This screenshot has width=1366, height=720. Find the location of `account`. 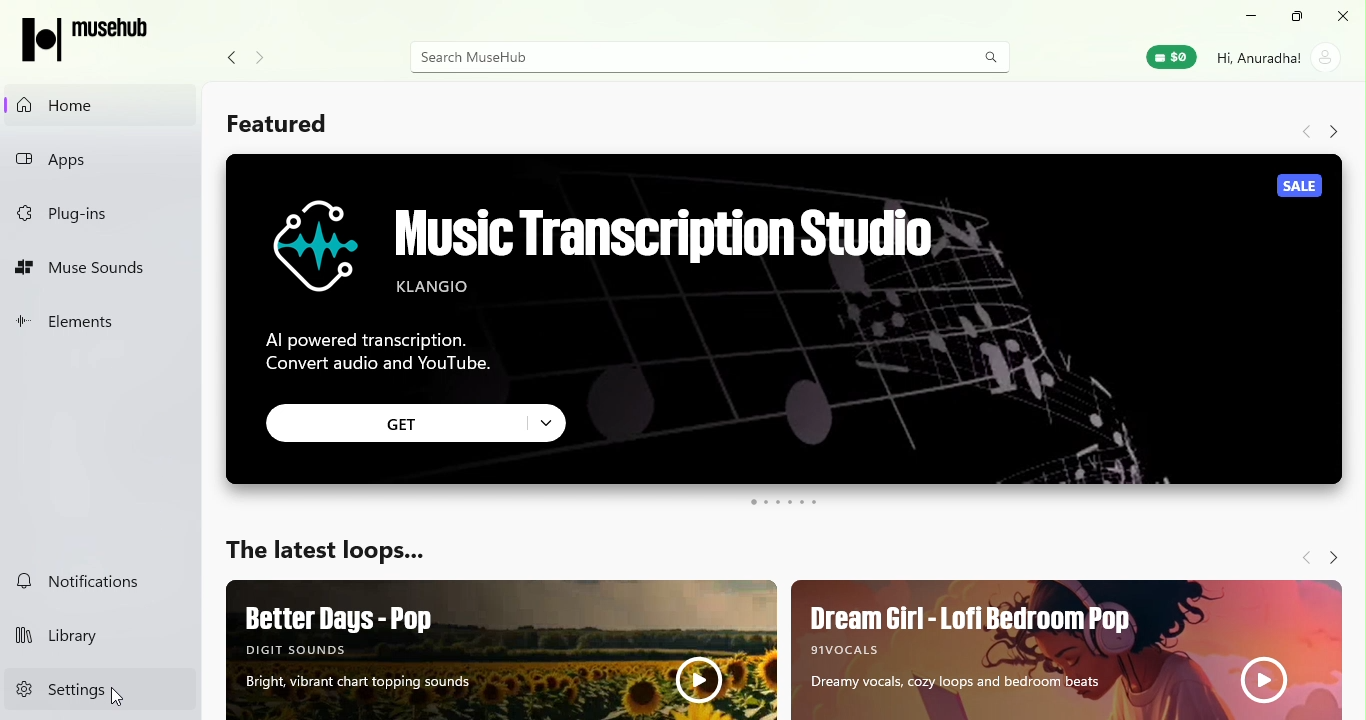

account is located at coordinates (1327, 59).